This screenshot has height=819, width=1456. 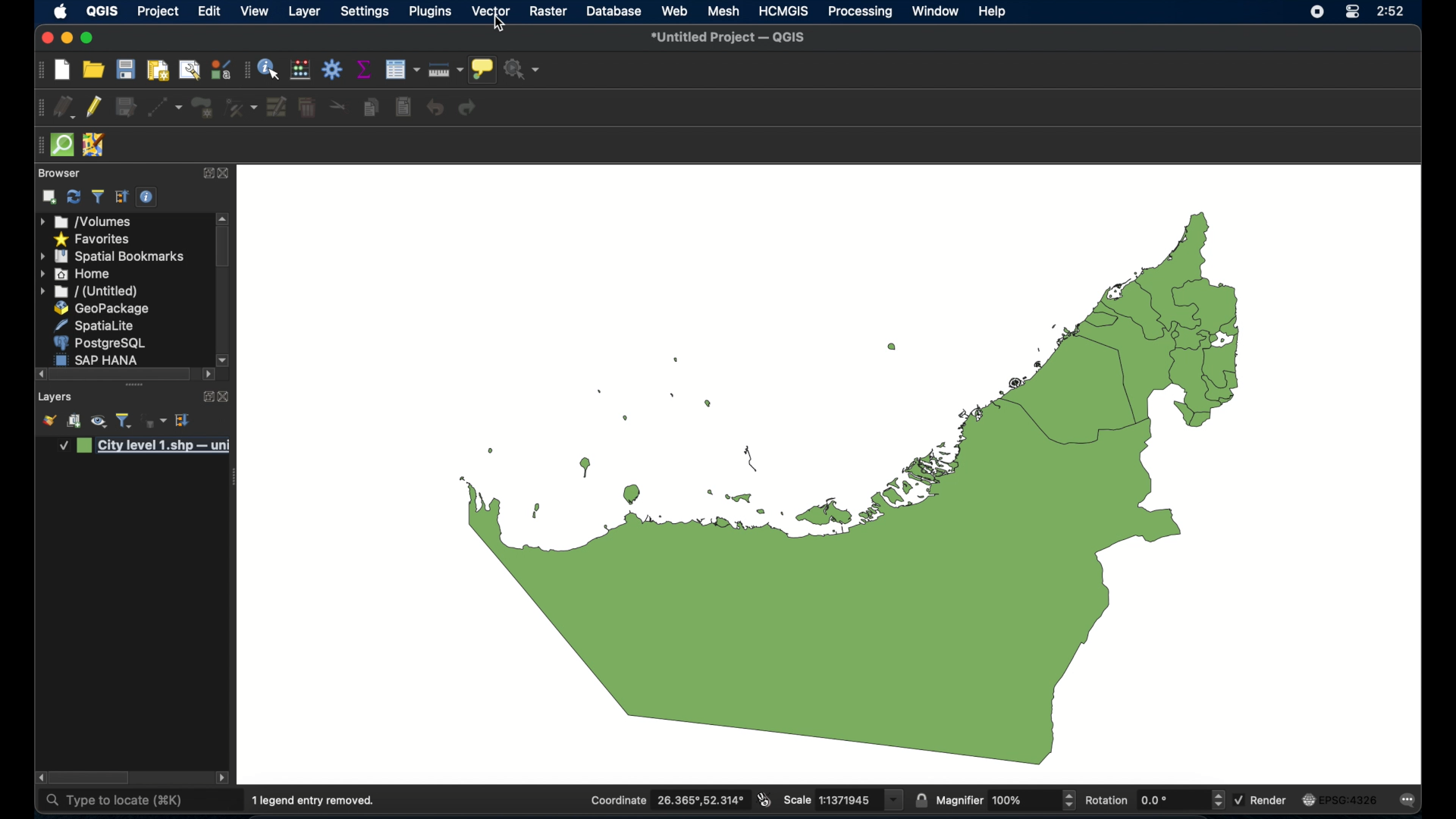 What do you see at coordinates (667, 800) in the screenshot?
I see `coordinate` at bounding box center [667, 800].